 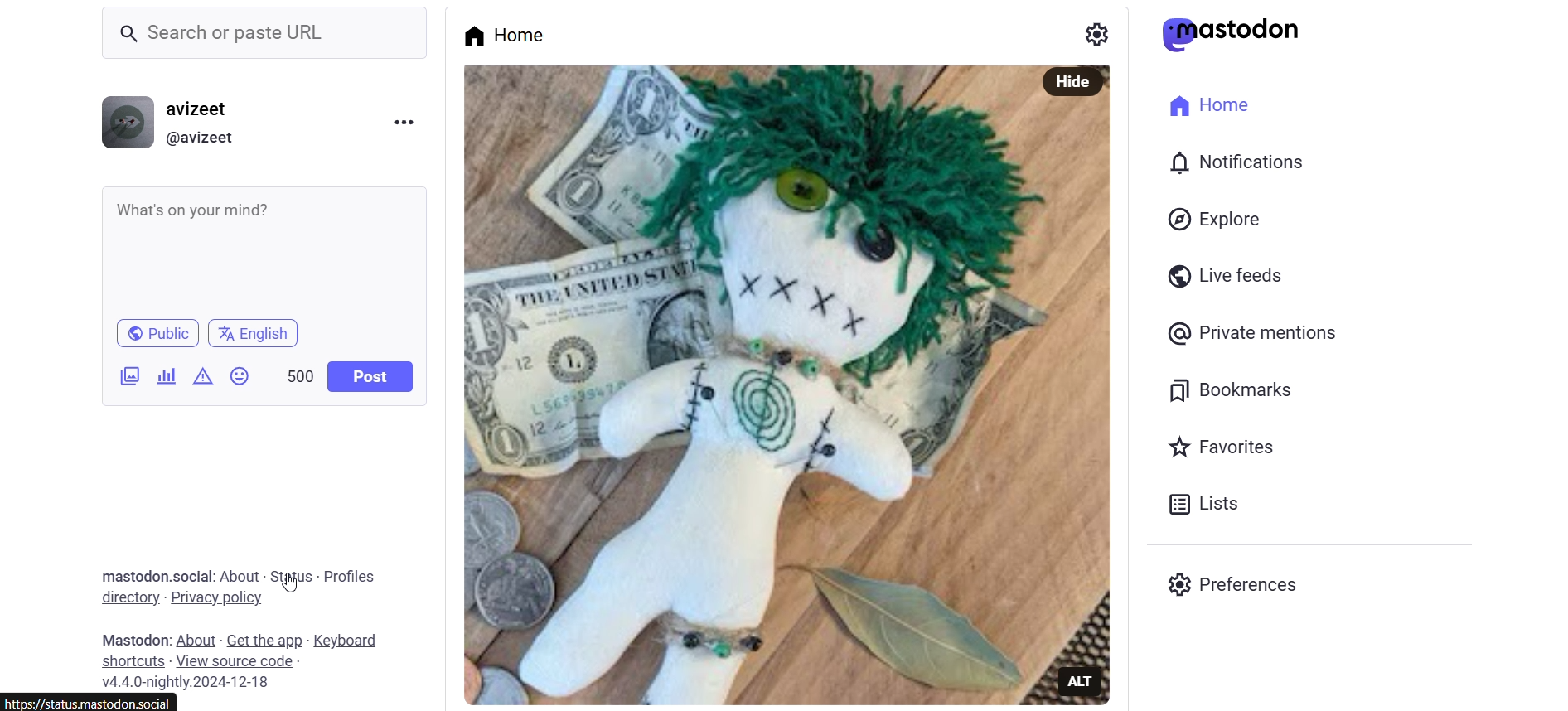 I want to click on add image, so click(x=131, y=376).